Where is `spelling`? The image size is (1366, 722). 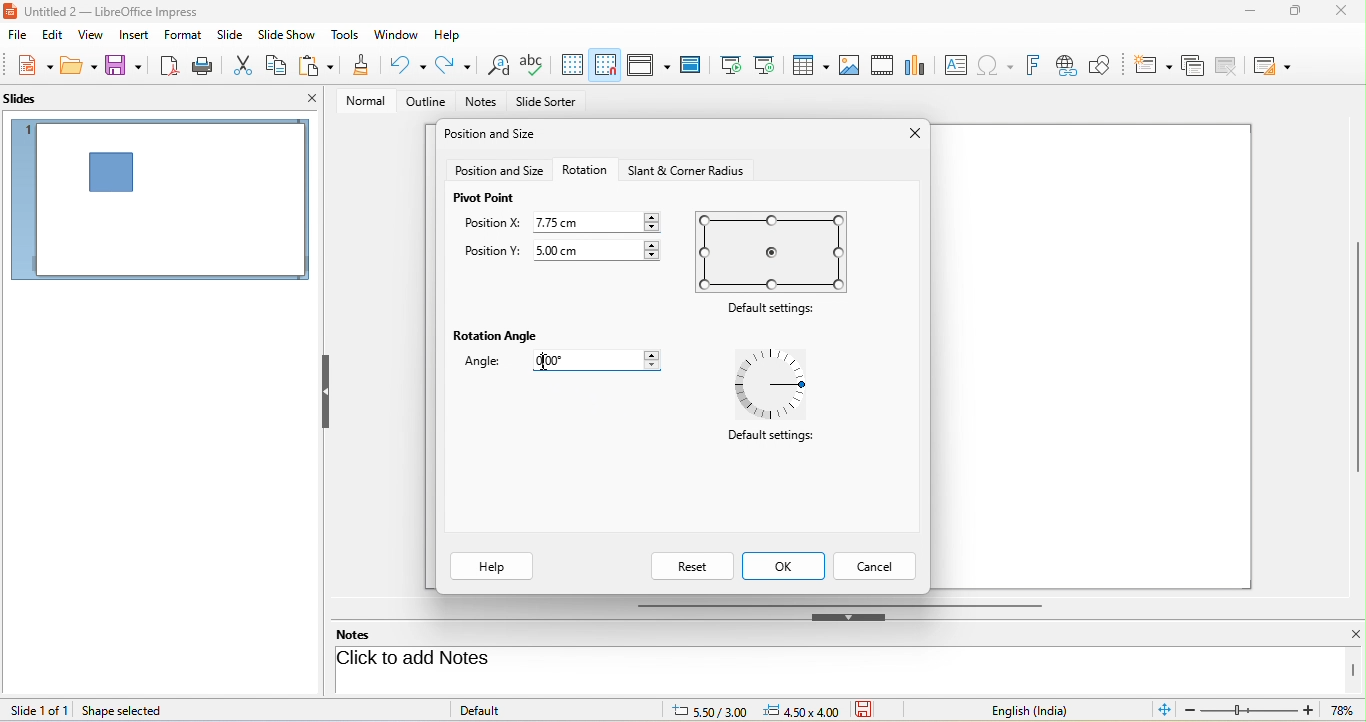
spelling is located at coordinates (535, 65).